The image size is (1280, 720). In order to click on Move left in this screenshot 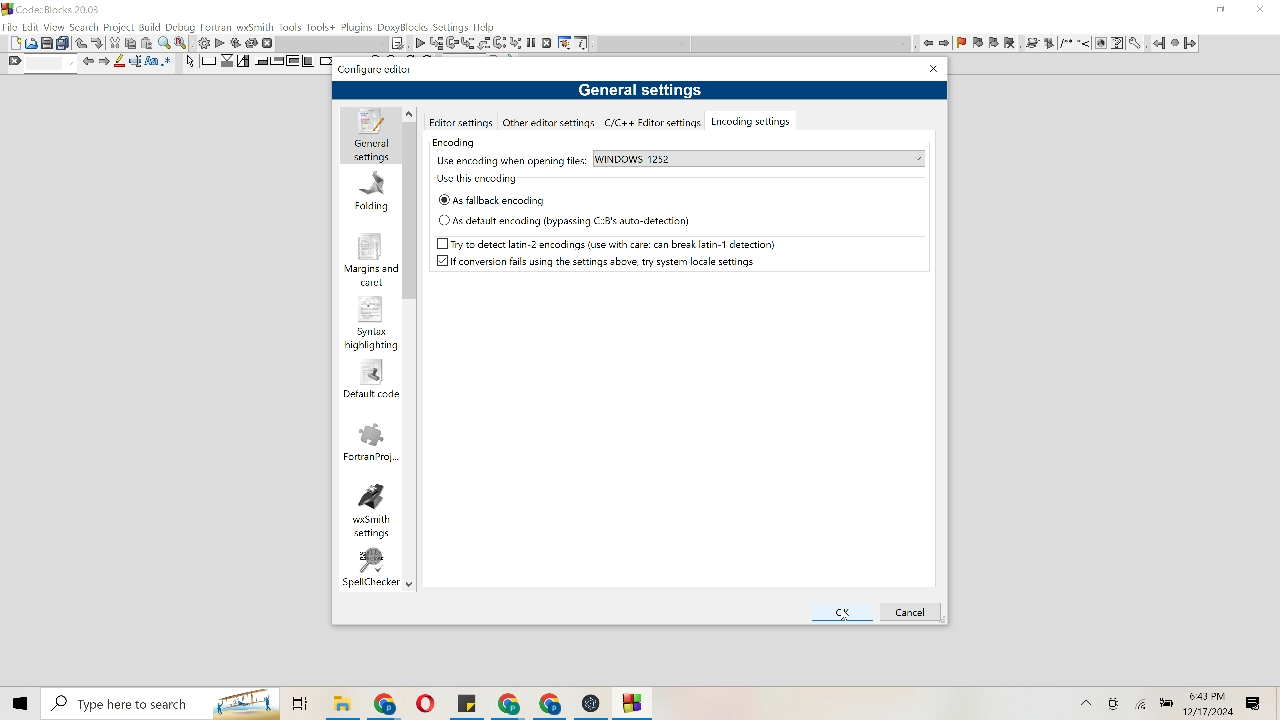, I will do `click(88, 61)`.